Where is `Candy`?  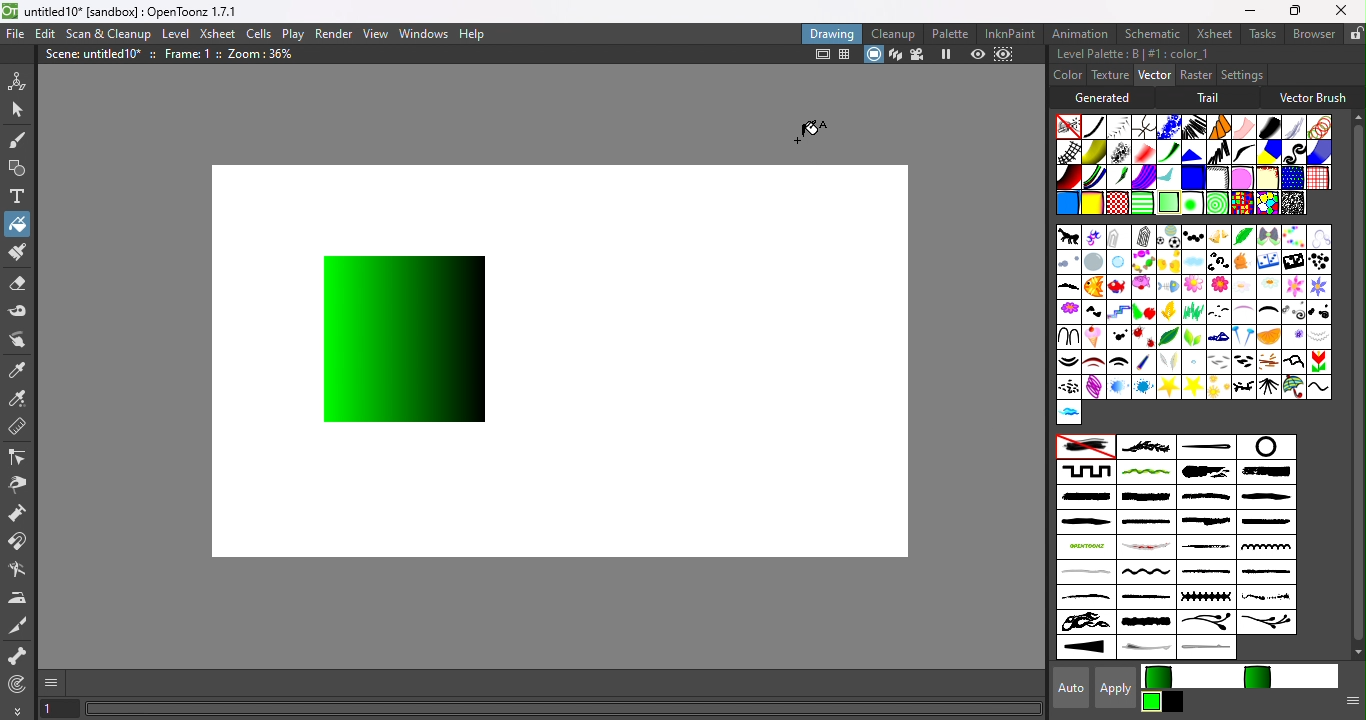
Candy is located at coordinates (1142, 262).